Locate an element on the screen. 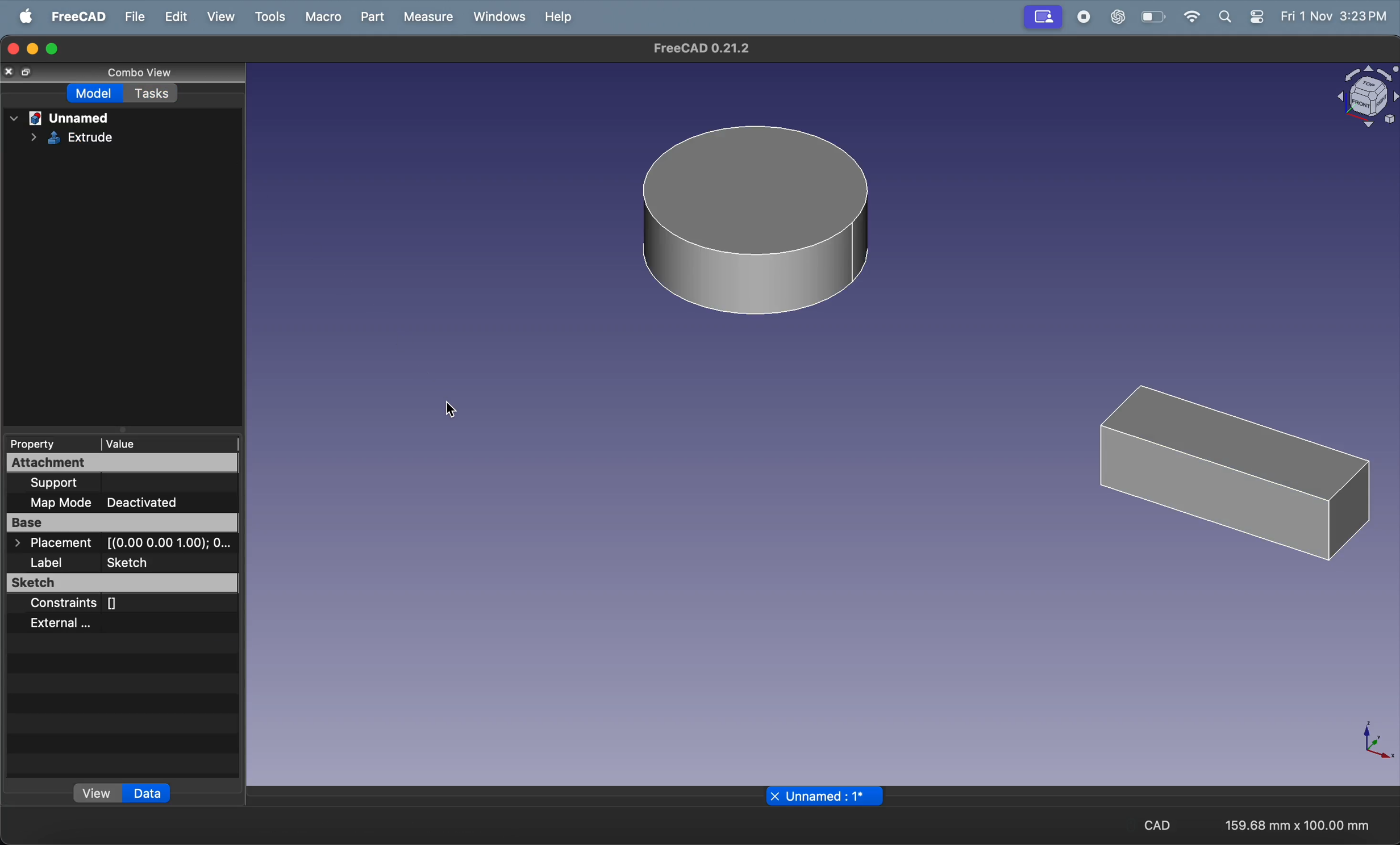 Image resolution: width=1400 pixels, height=845 pixels. Sketch is located at coordinates (122, 583).